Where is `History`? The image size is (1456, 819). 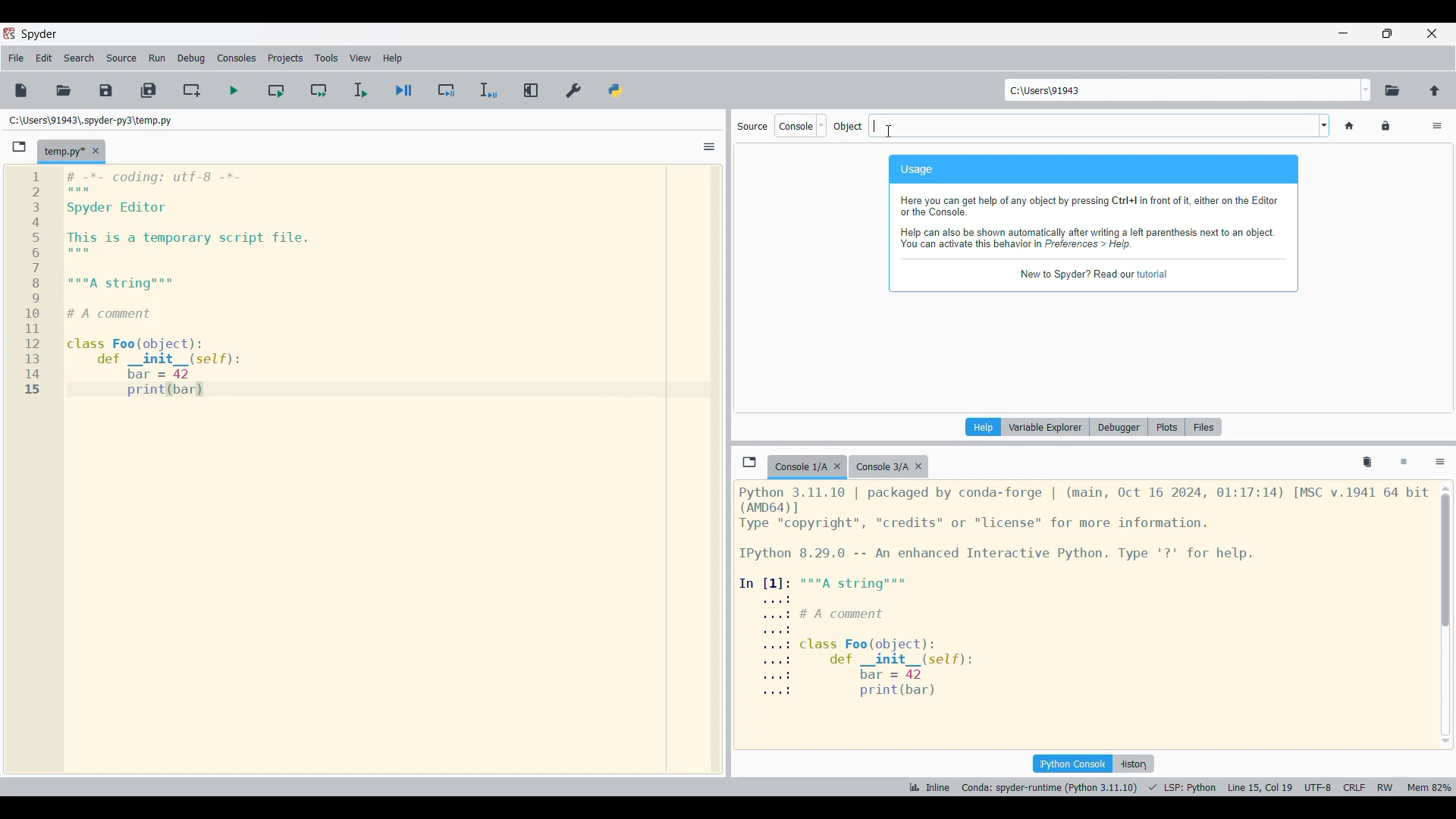
History is located at coordinates (1134, 764).